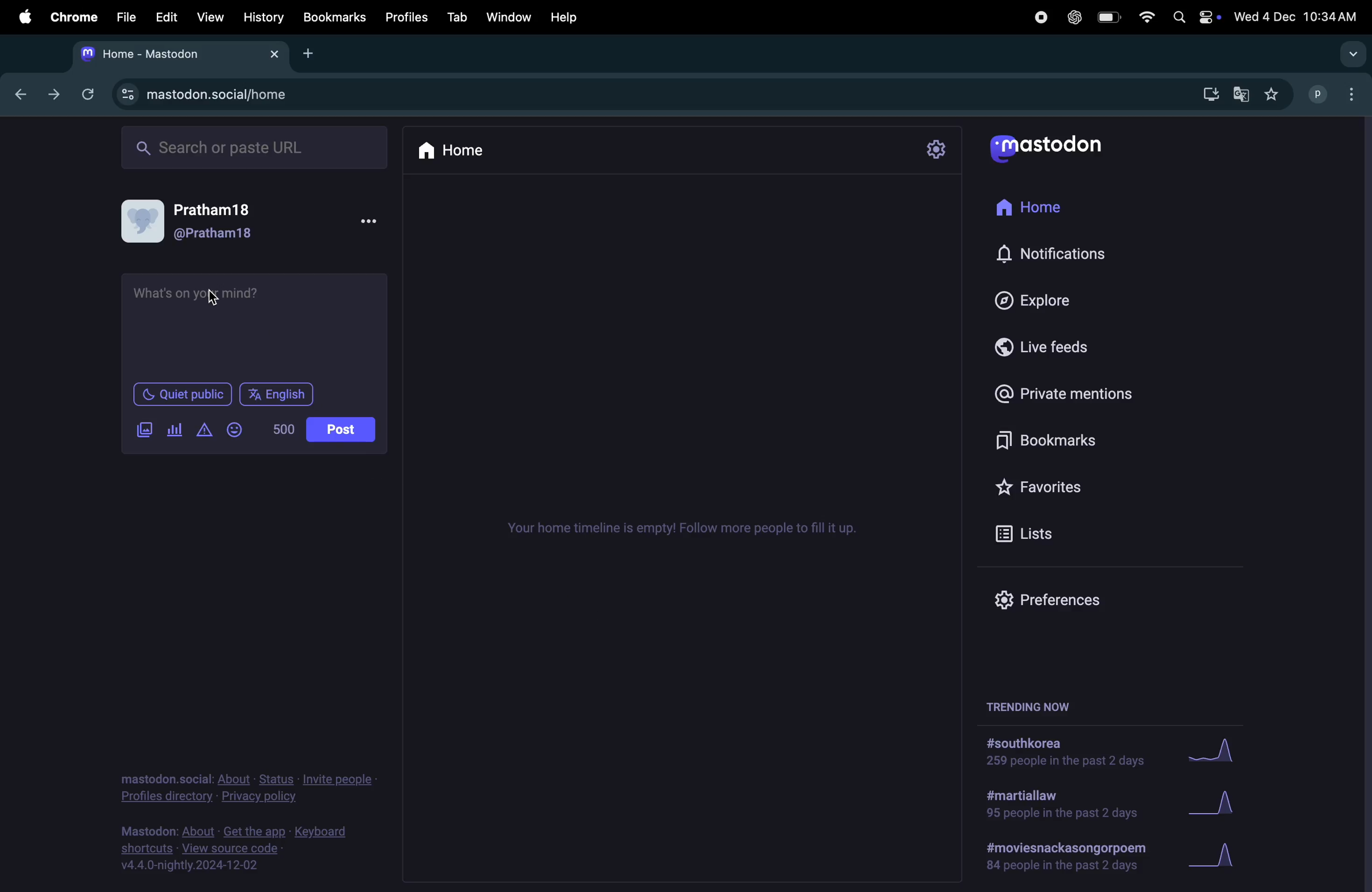 The image size is (1372, 892). I want to click on poll, so click(175, 430).